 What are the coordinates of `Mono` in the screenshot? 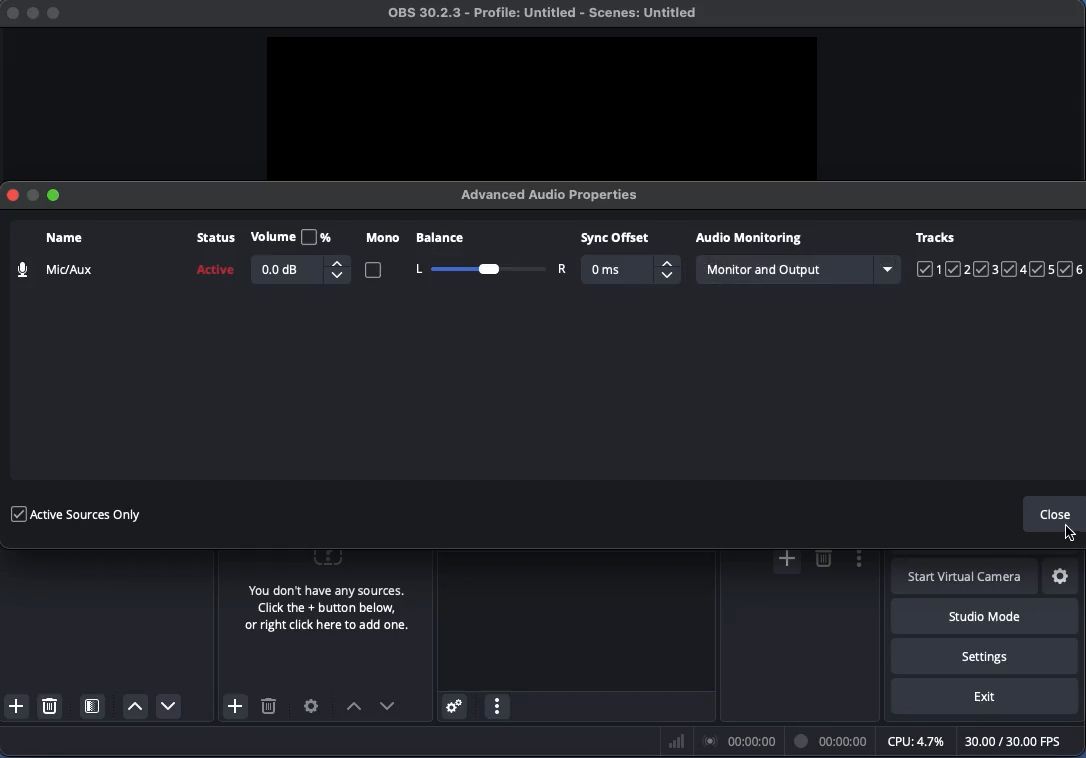 It's located at (383, 257).